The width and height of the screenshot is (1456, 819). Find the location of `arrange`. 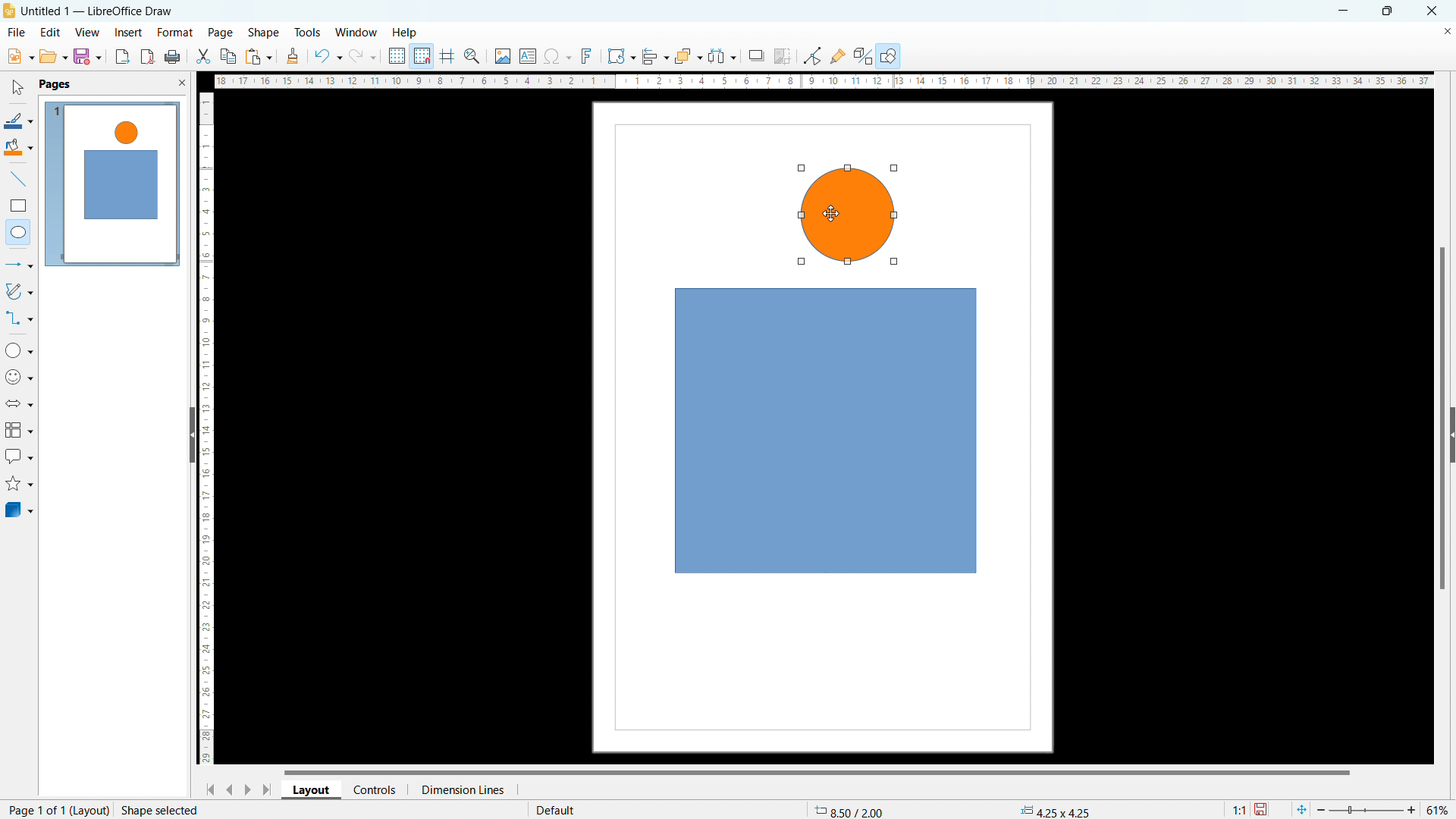

arrange is located at coordinates (688, 57).